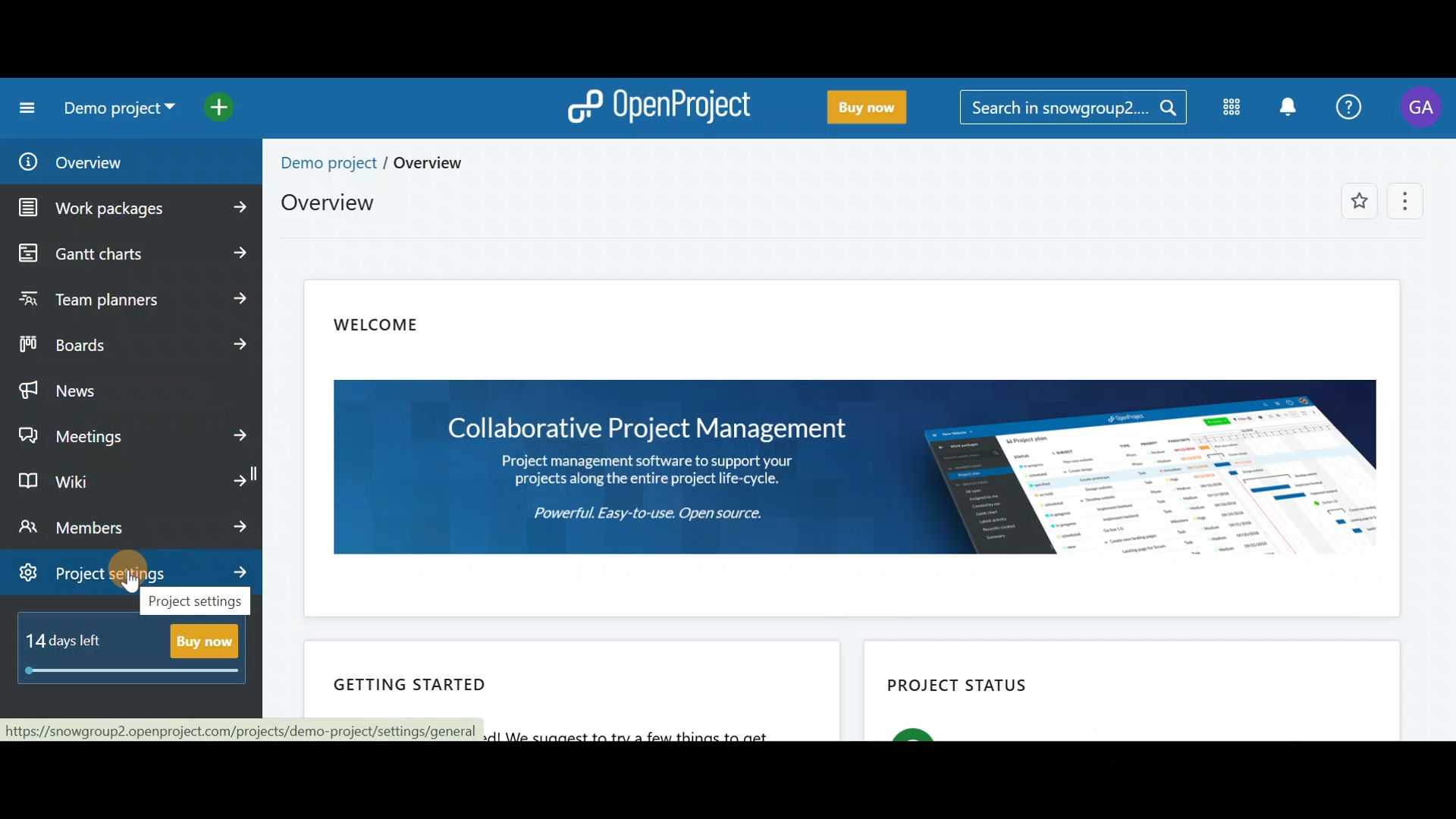 The image size is (1456, 819). I want to click on Account name, so click(1419, 111).